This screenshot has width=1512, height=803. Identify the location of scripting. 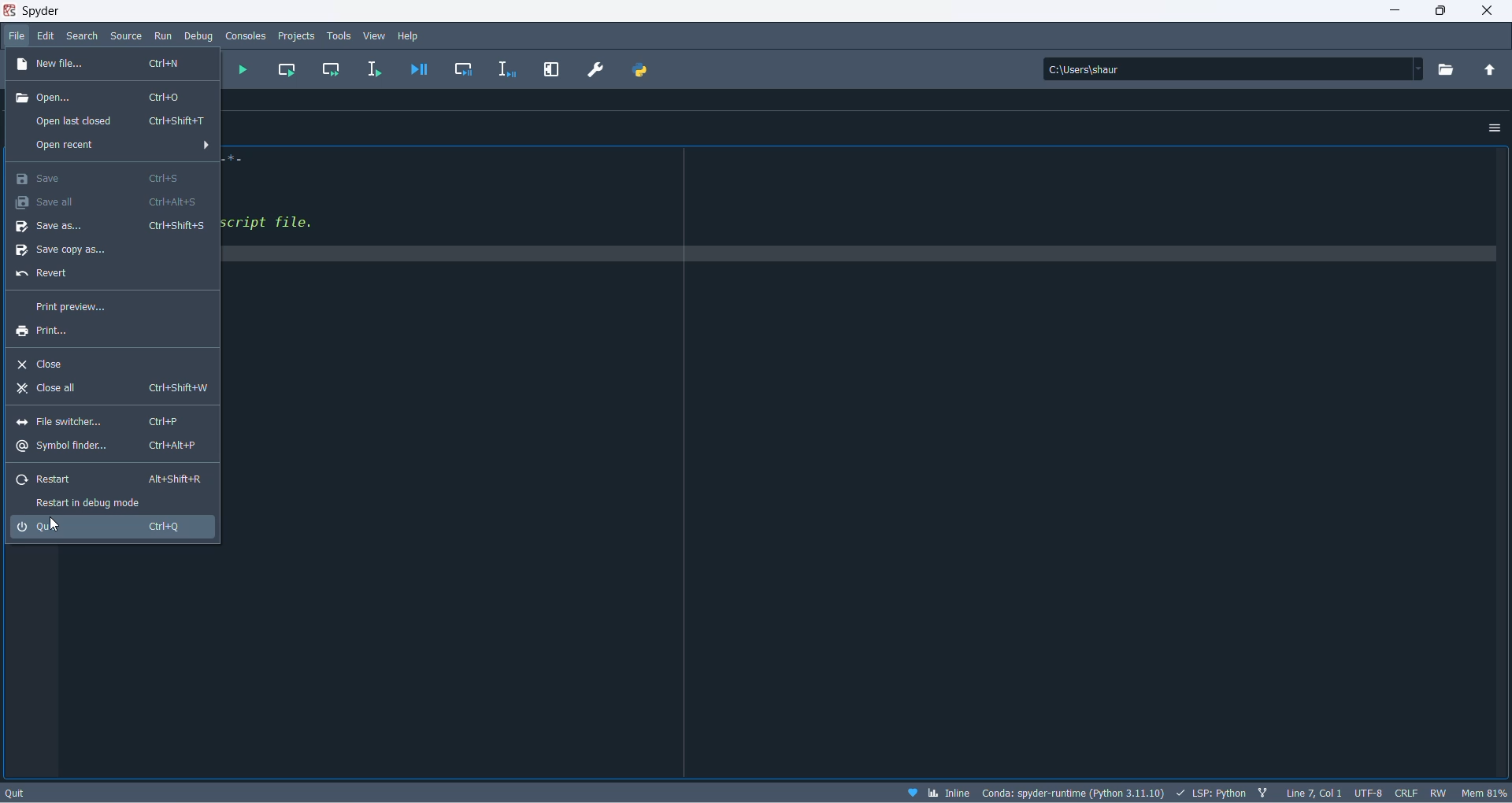
(1213, 792).